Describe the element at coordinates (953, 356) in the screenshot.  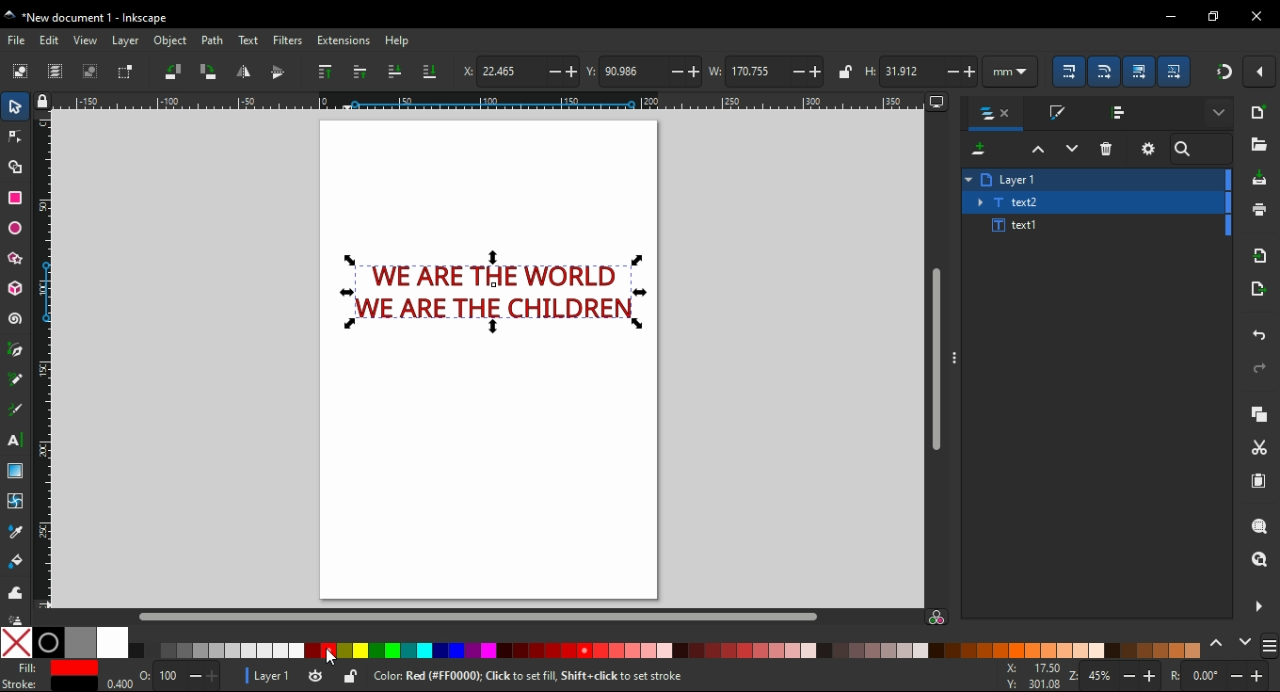
I see `more options` at that location.